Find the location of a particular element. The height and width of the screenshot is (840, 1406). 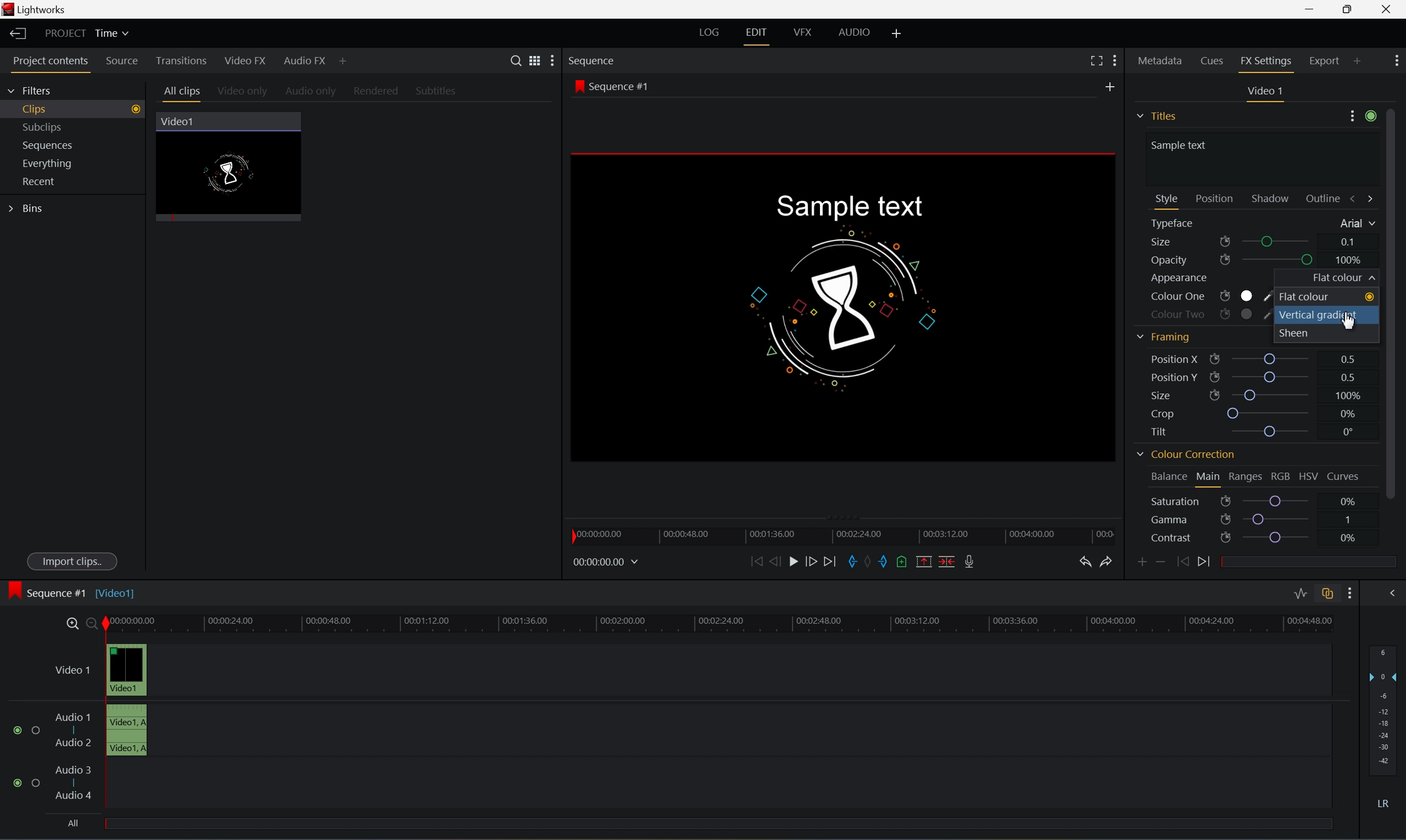

balance is located at coordinates (1164, 474).